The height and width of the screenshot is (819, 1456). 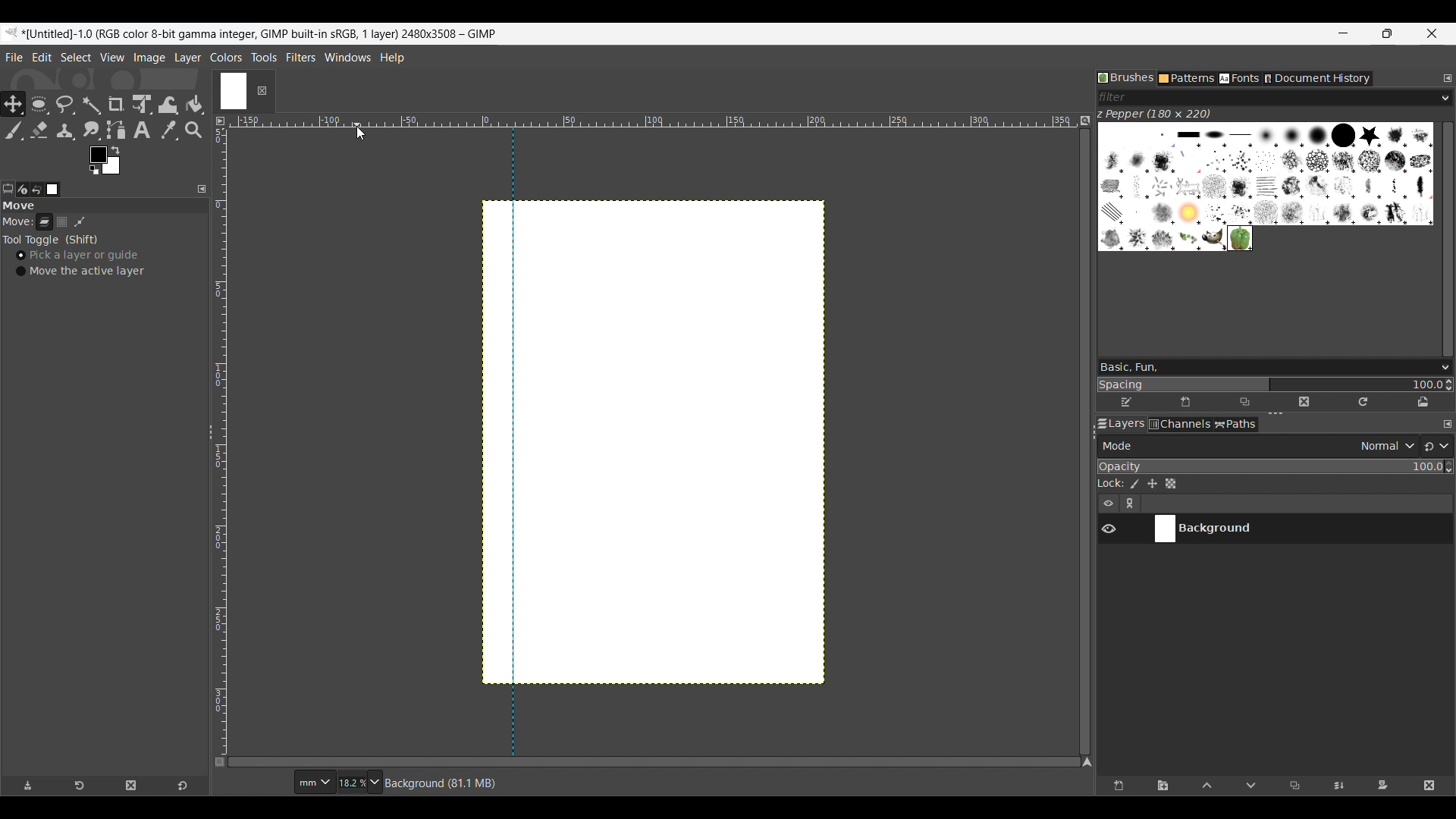 I want to click on Paths tab, so click(x=1236, y=424).